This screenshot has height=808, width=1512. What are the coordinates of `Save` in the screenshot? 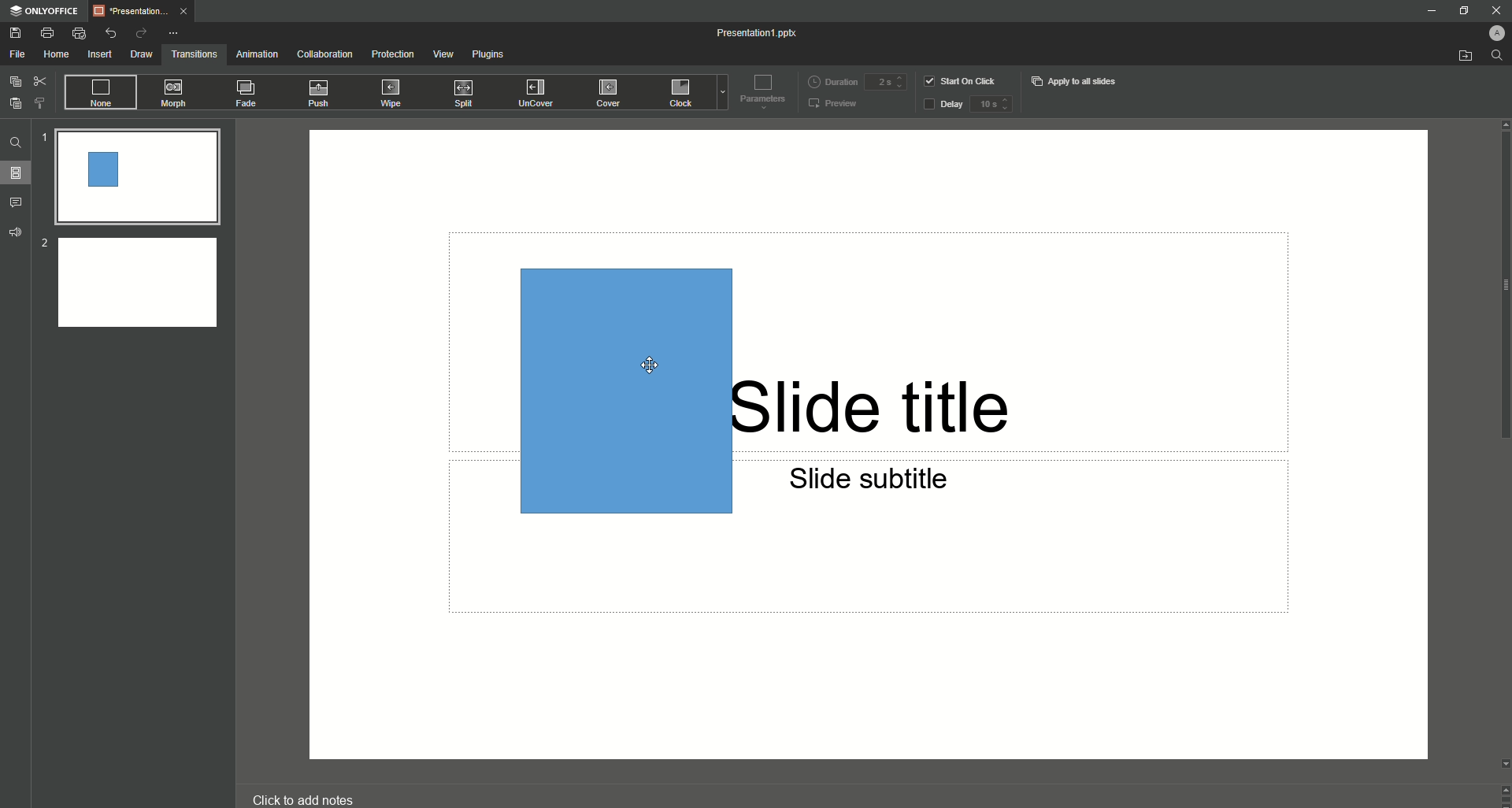 It's located at (16, 32).